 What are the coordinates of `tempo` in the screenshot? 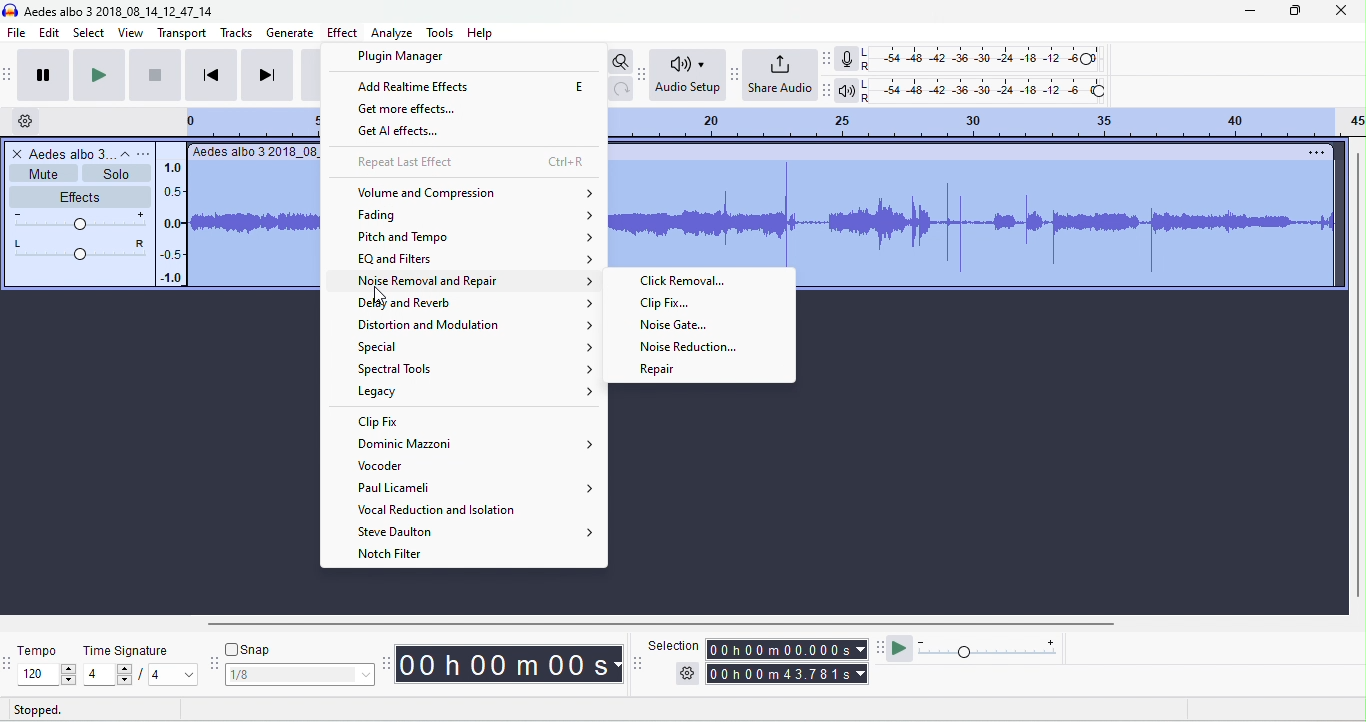 It's located at (37, 649).